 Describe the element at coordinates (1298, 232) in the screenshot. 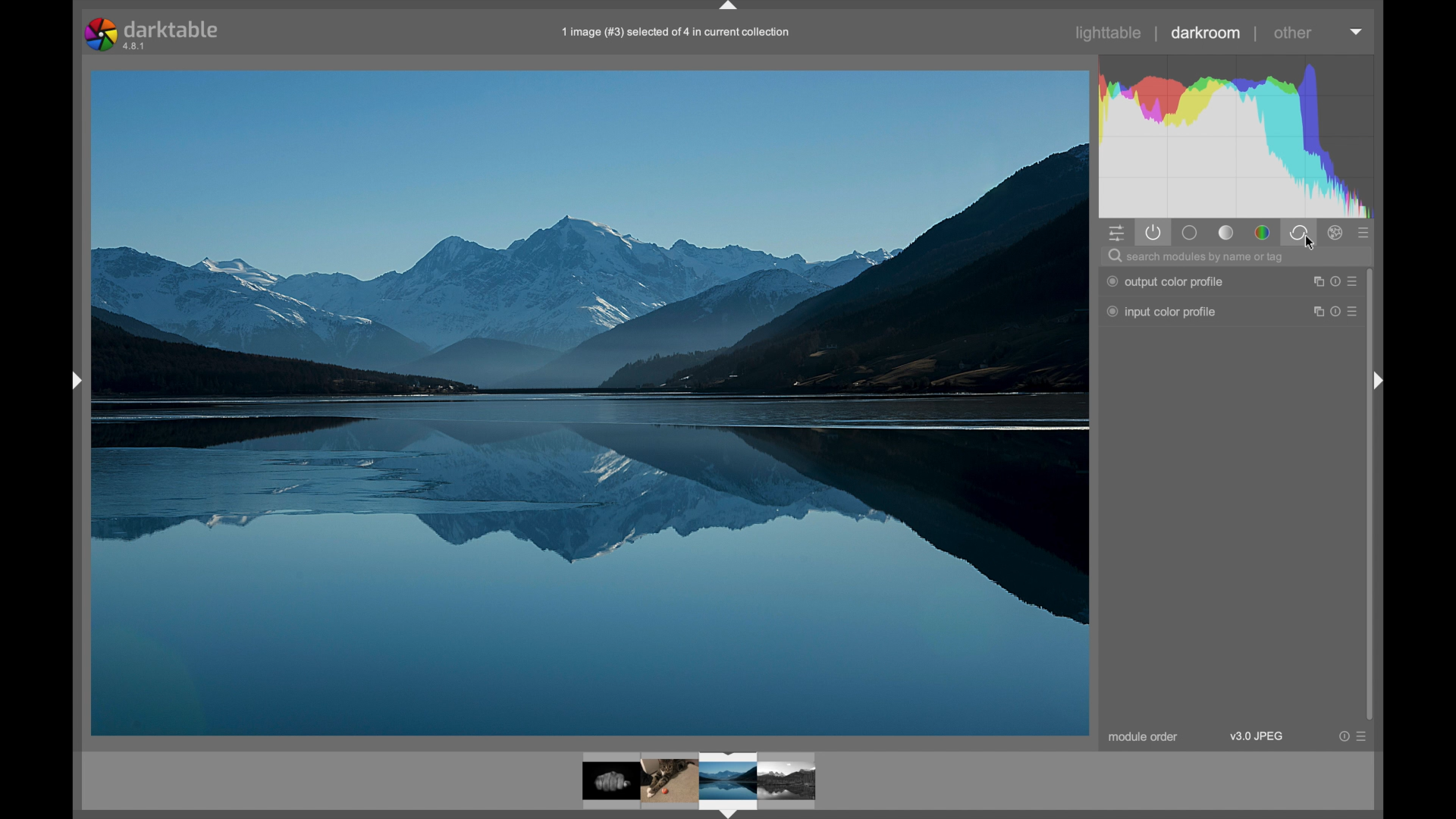

I see `correct` at that location.